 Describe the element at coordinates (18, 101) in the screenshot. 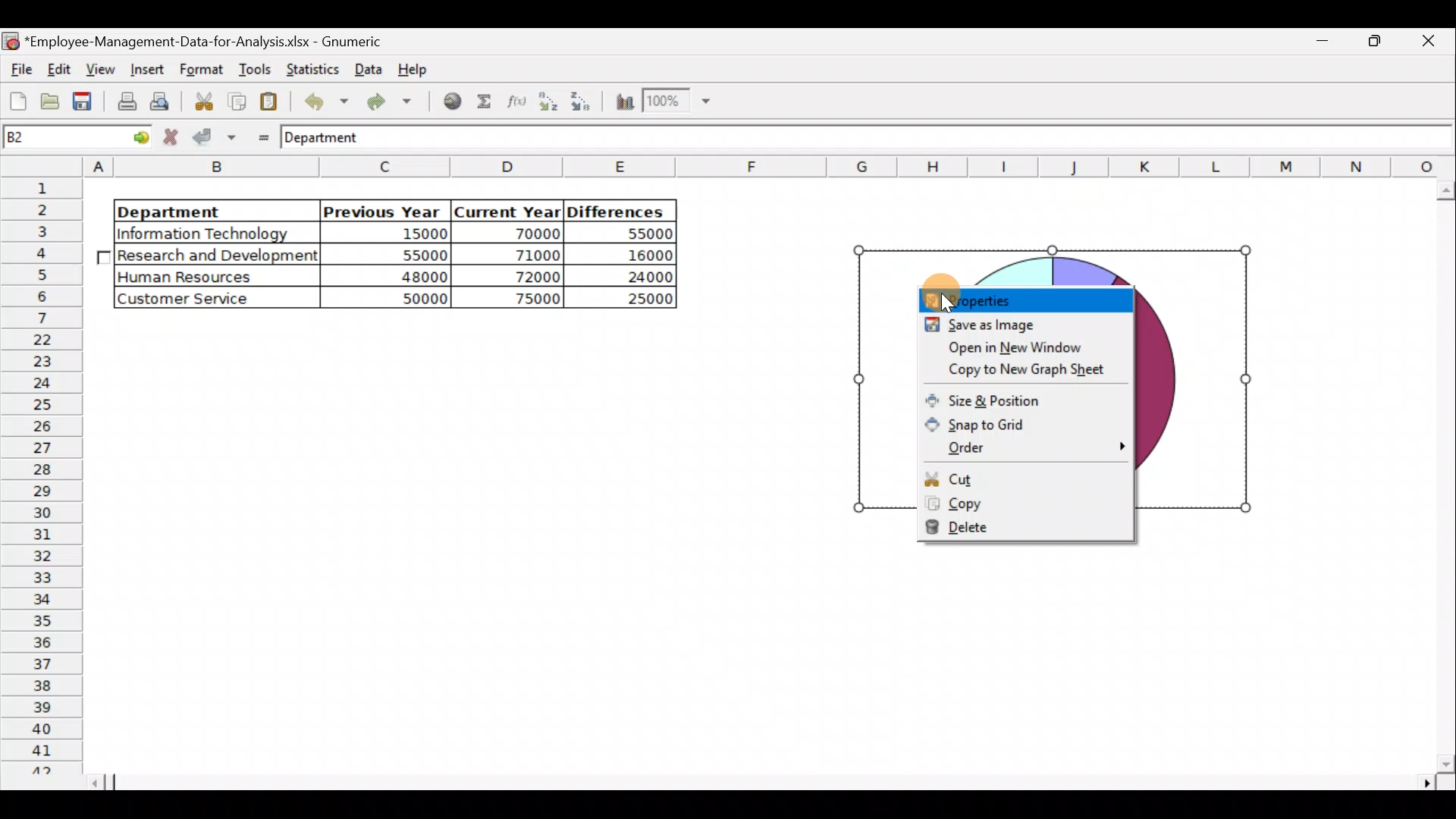

I see `Create a new workbook` at that location.